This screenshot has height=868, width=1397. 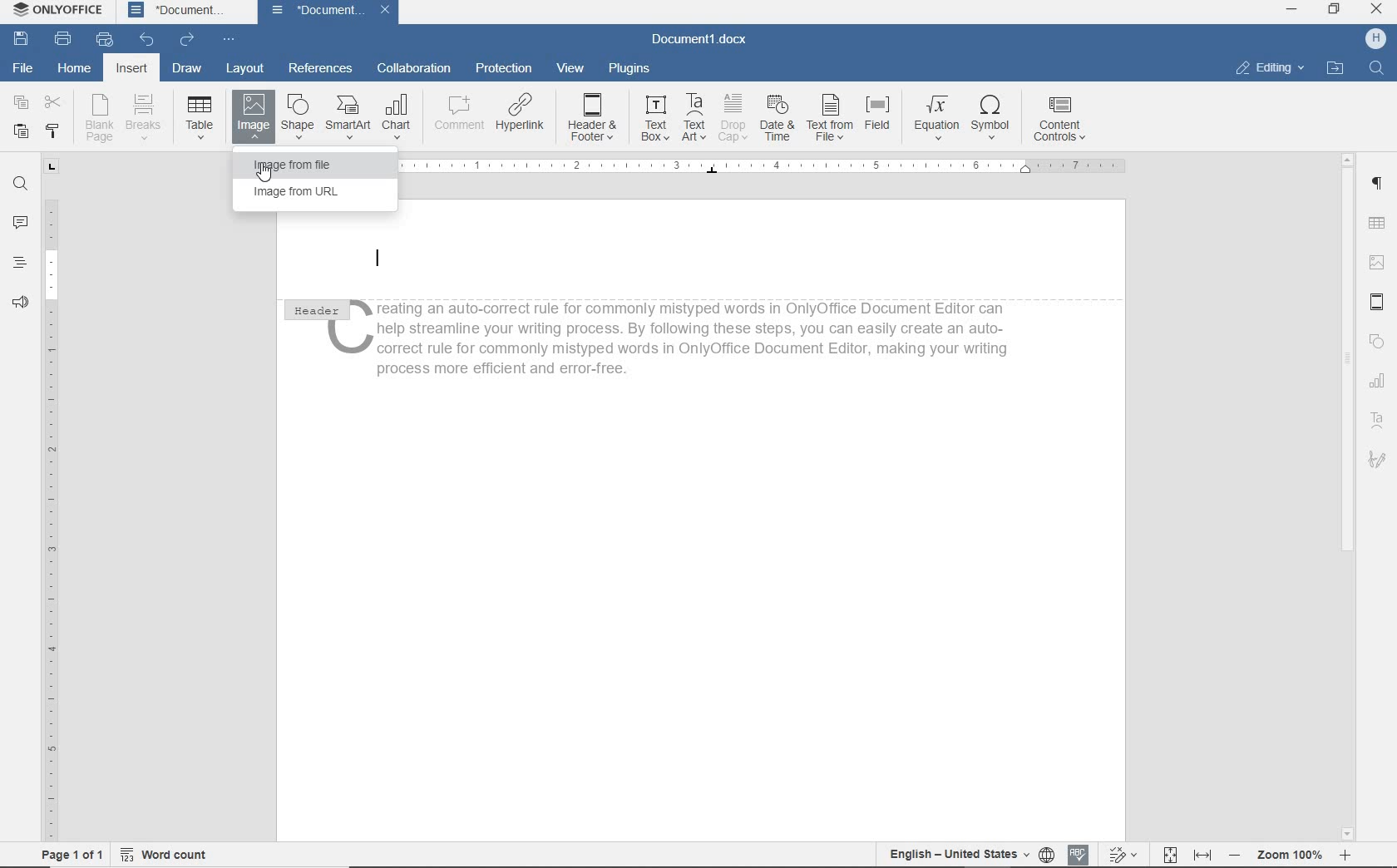 I want to click on DOCUMENT NAME, so click(x=329, y=12).